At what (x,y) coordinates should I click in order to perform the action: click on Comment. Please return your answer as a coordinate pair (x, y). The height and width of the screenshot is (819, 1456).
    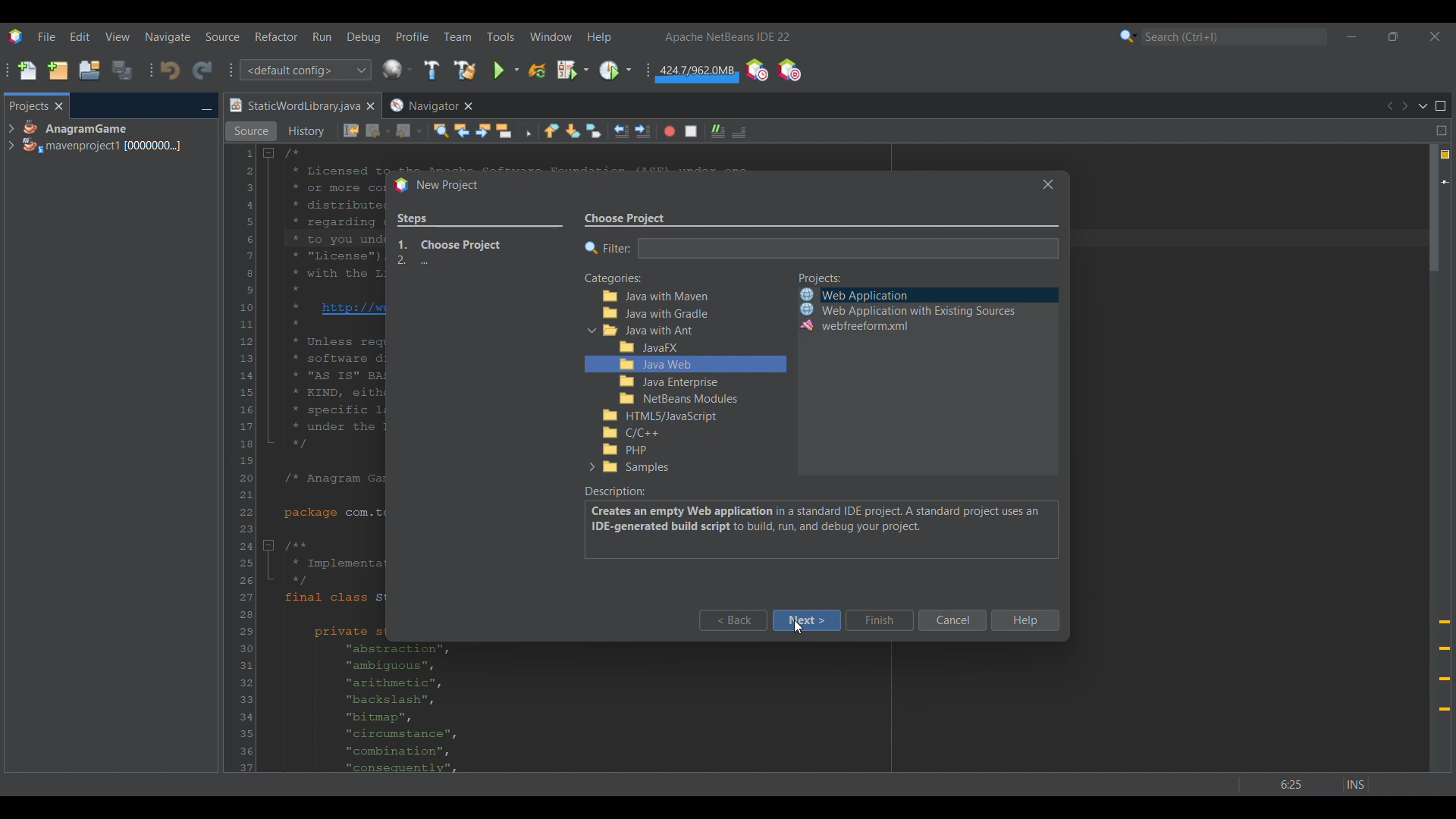
    Looking at the image, I should click on (739, 132).